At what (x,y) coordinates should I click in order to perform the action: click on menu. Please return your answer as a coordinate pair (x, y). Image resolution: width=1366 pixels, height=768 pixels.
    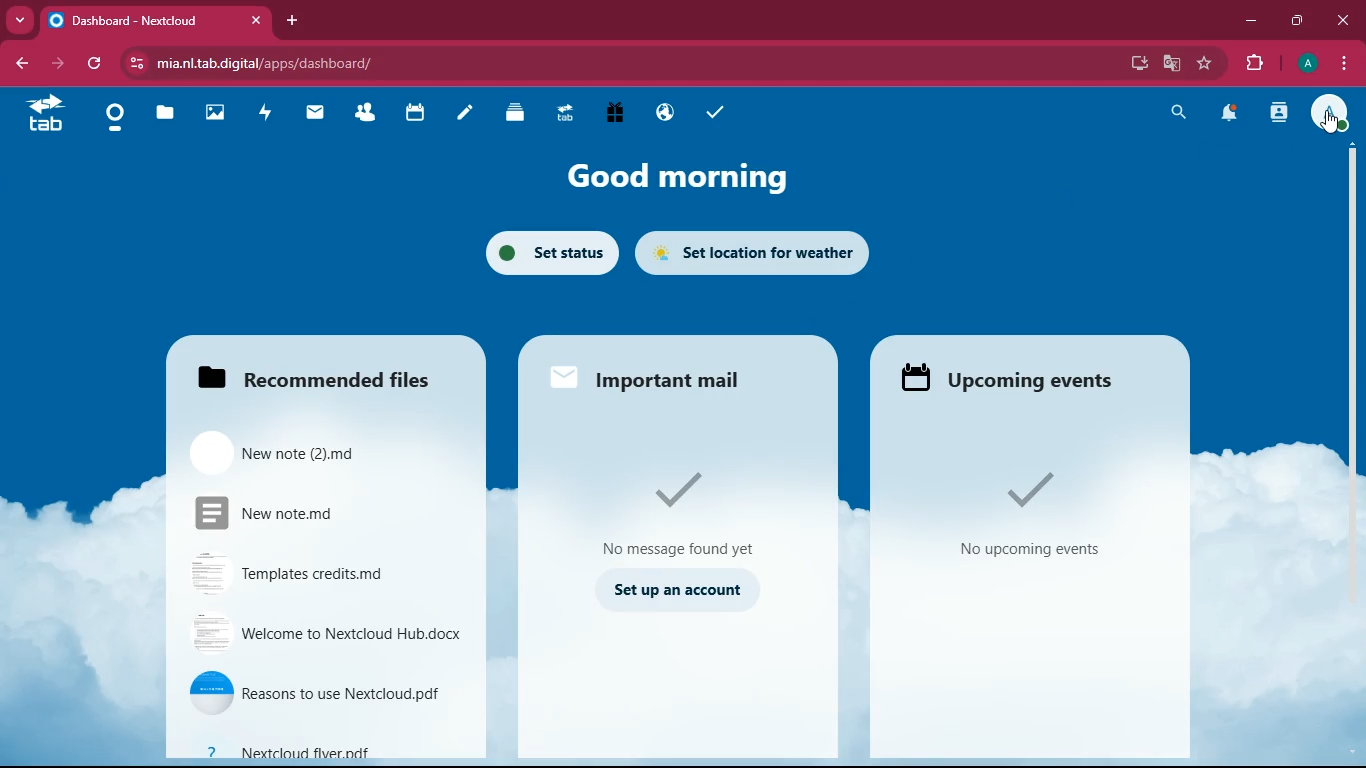
    Looking at the image, I should click on (1341, 62).